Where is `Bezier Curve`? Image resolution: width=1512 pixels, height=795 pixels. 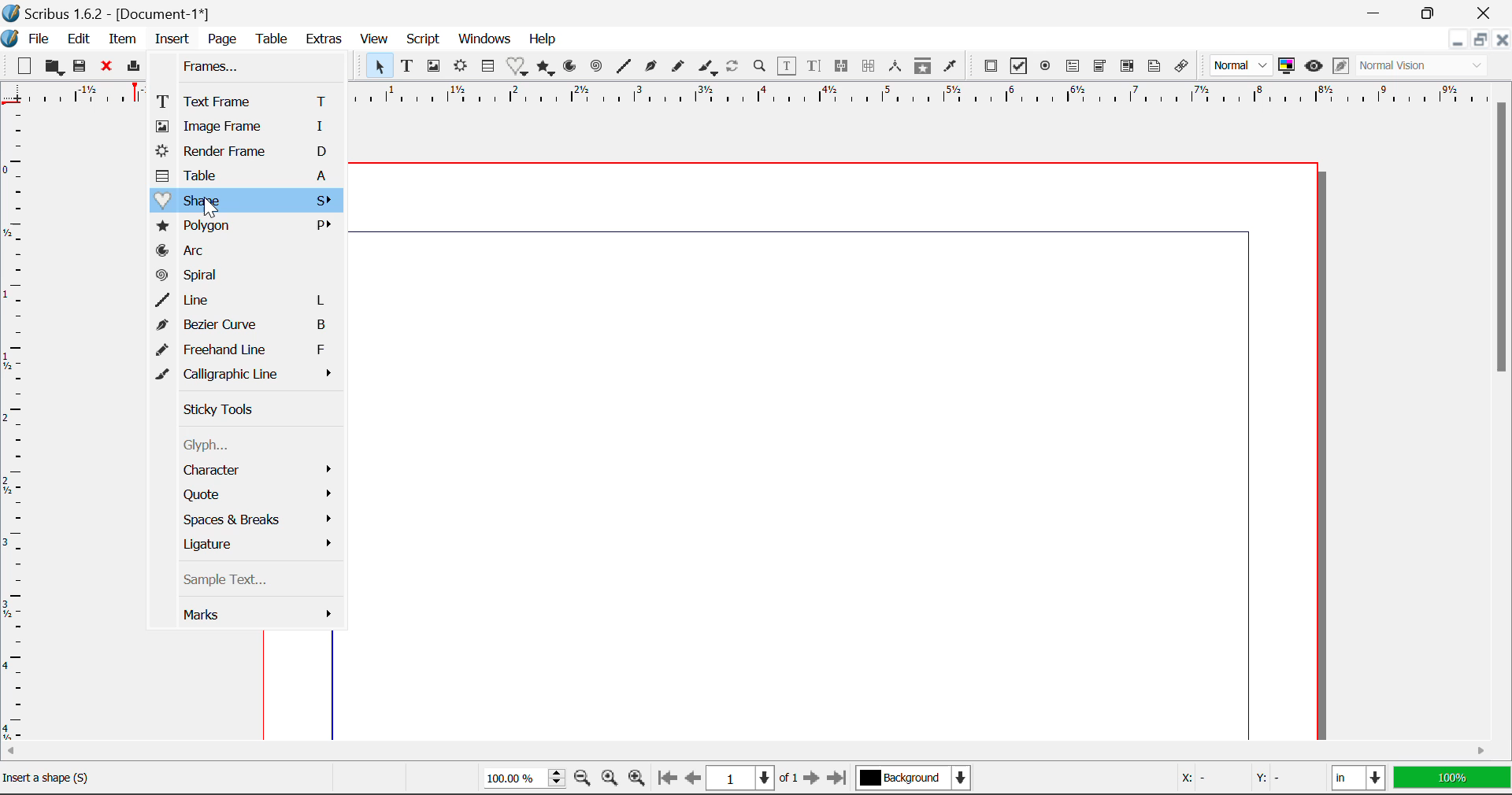 Bezier Curve is located at coordinates (652, 68).